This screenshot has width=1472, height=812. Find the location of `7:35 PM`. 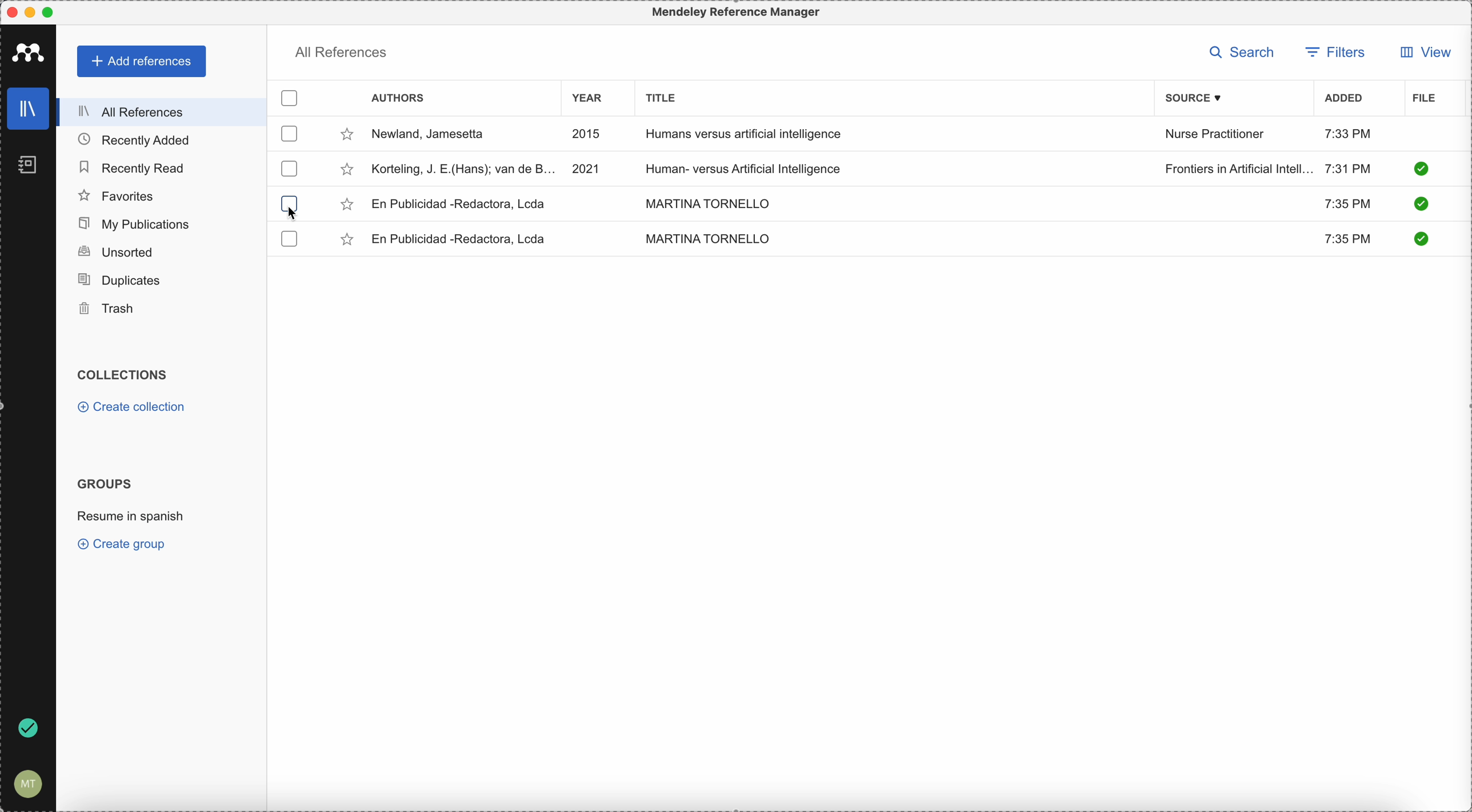

7:35 PM is located at coordinates (1350, 240).